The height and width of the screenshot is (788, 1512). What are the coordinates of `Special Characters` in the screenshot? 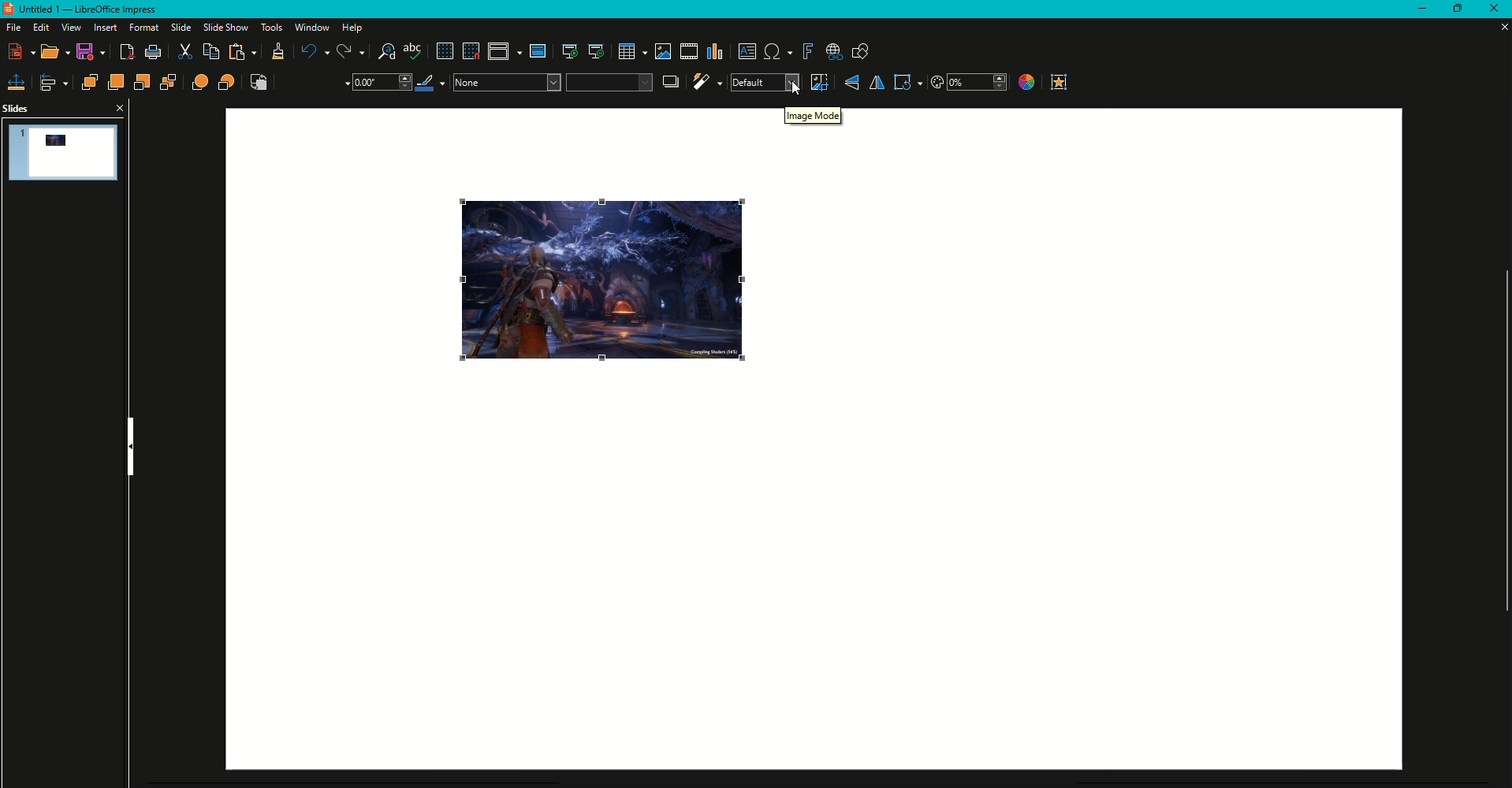 It's located at (778, 52).